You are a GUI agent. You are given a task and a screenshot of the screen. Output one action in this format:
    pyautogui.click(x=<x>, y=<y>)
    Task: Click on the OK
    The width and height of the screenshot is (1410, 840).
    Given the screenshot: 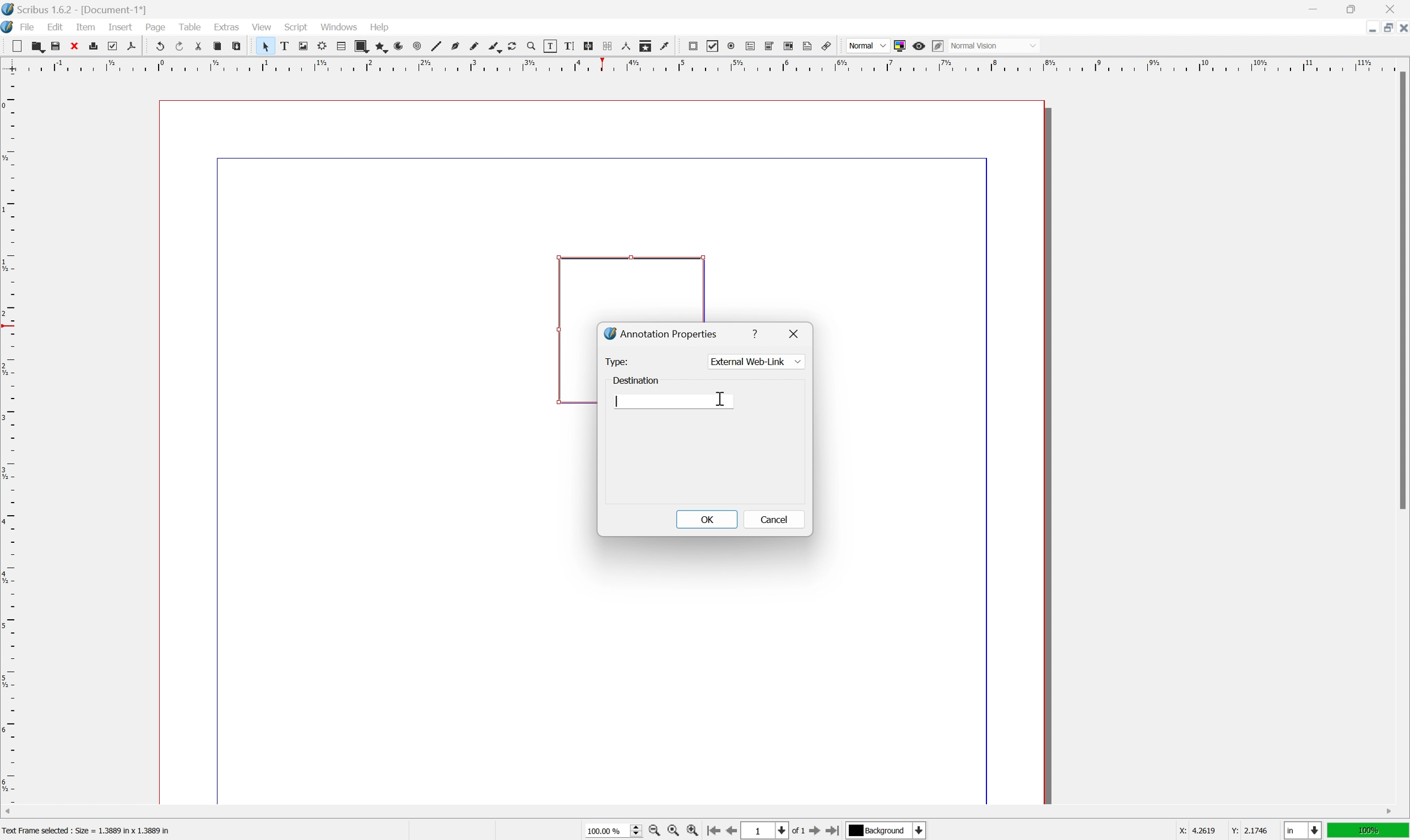 What is the action you would take?
    pyautogui.click(x=707, y=519)
    